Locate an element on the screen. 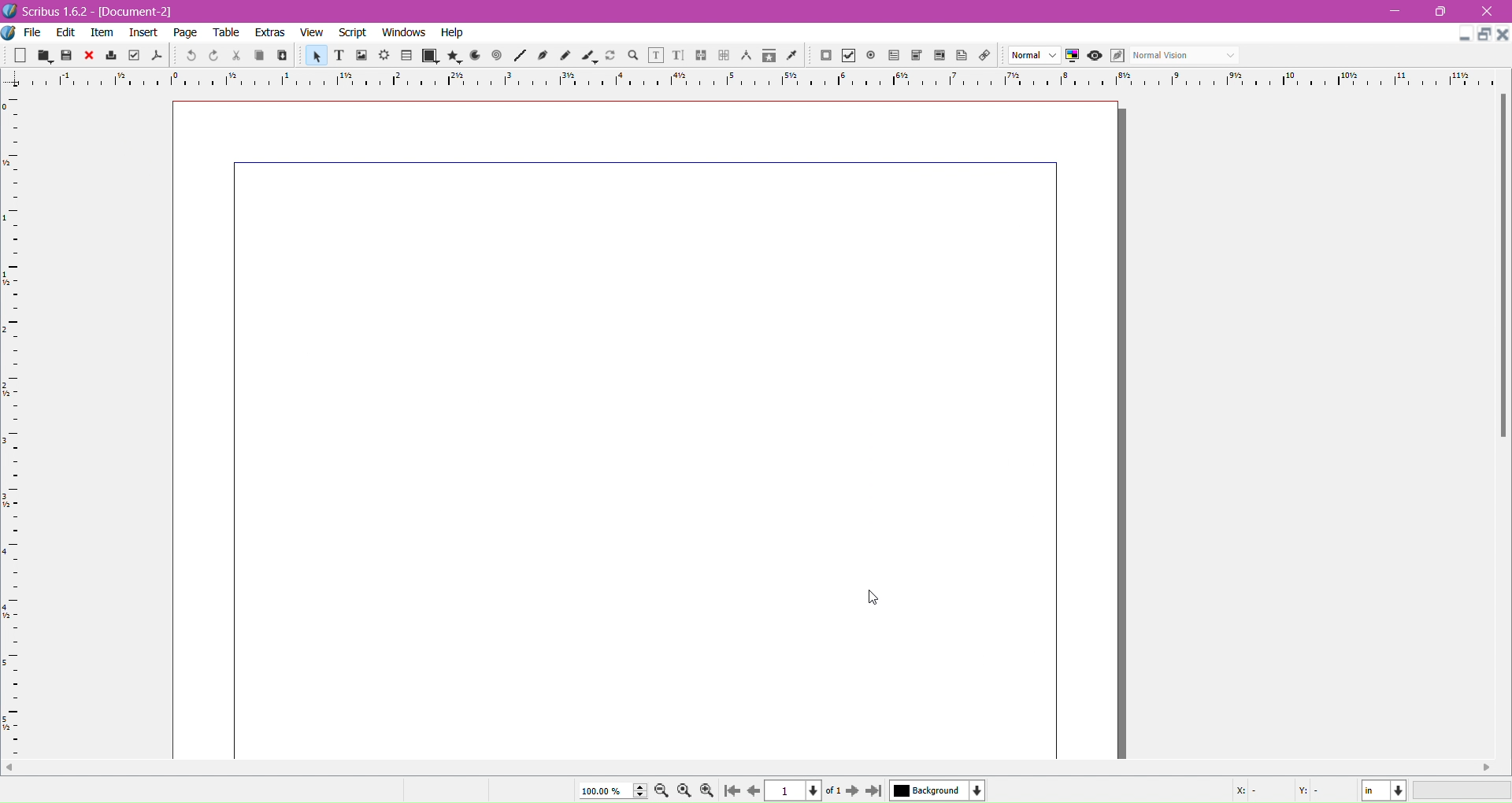 The width and height of the screenshot is (1512, 803). icon is located at coordinates (159, 56).